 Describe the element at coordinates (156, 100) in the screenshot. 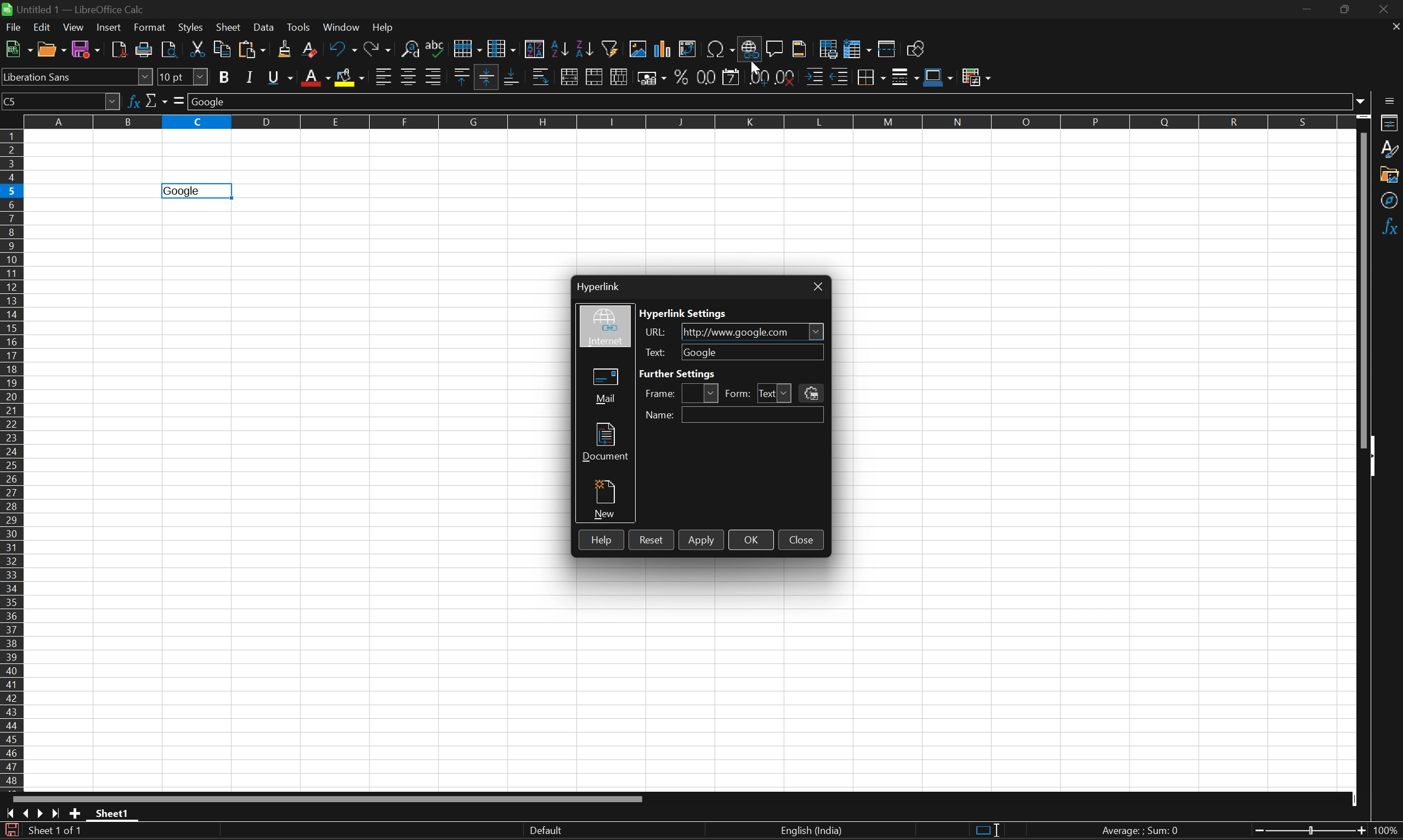

I see `Select function` at that location.